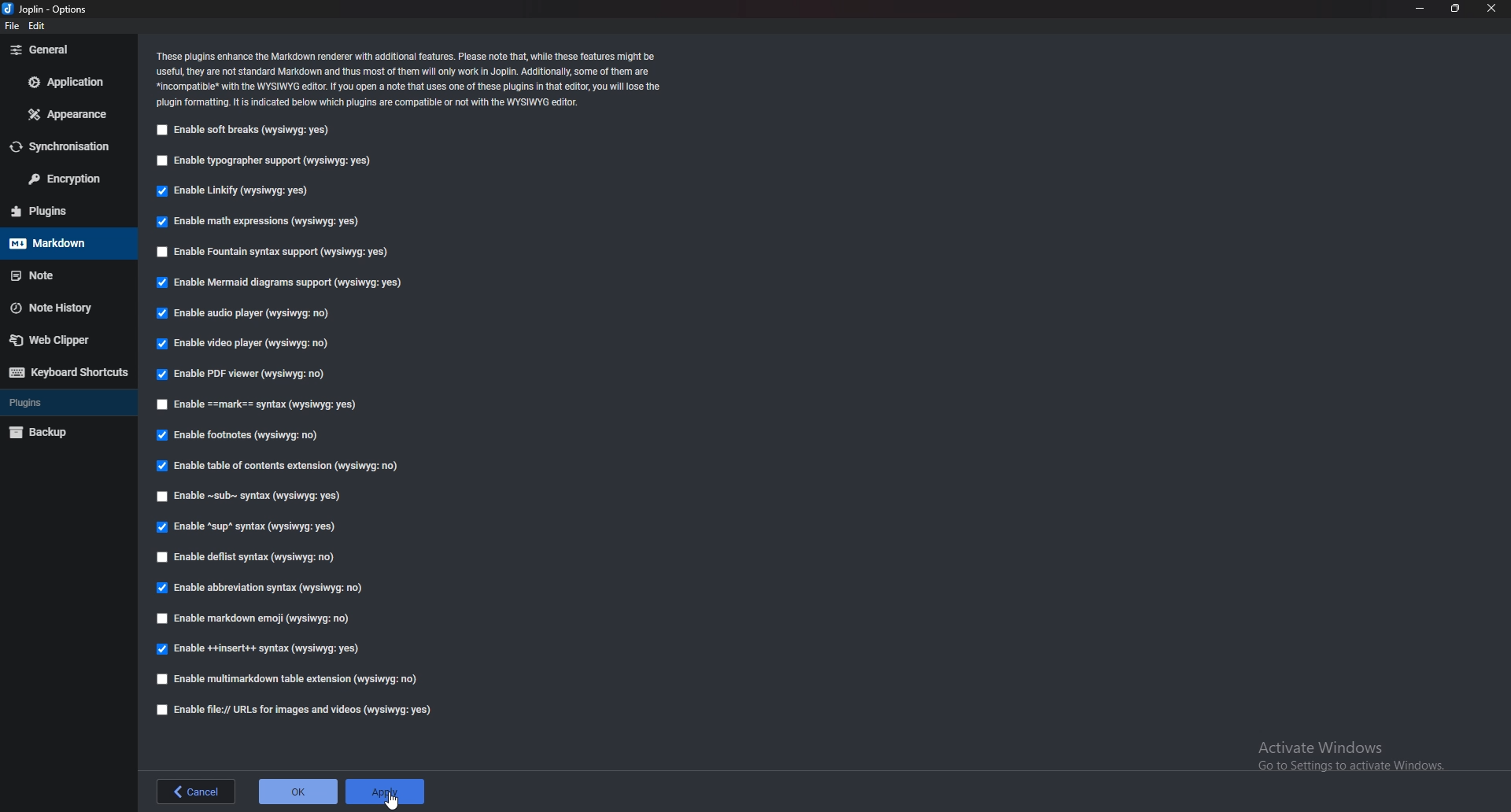 Image resolution: width=1511 pixels, height=812 pixels. I want to click on Plugins, so click(65, 402).